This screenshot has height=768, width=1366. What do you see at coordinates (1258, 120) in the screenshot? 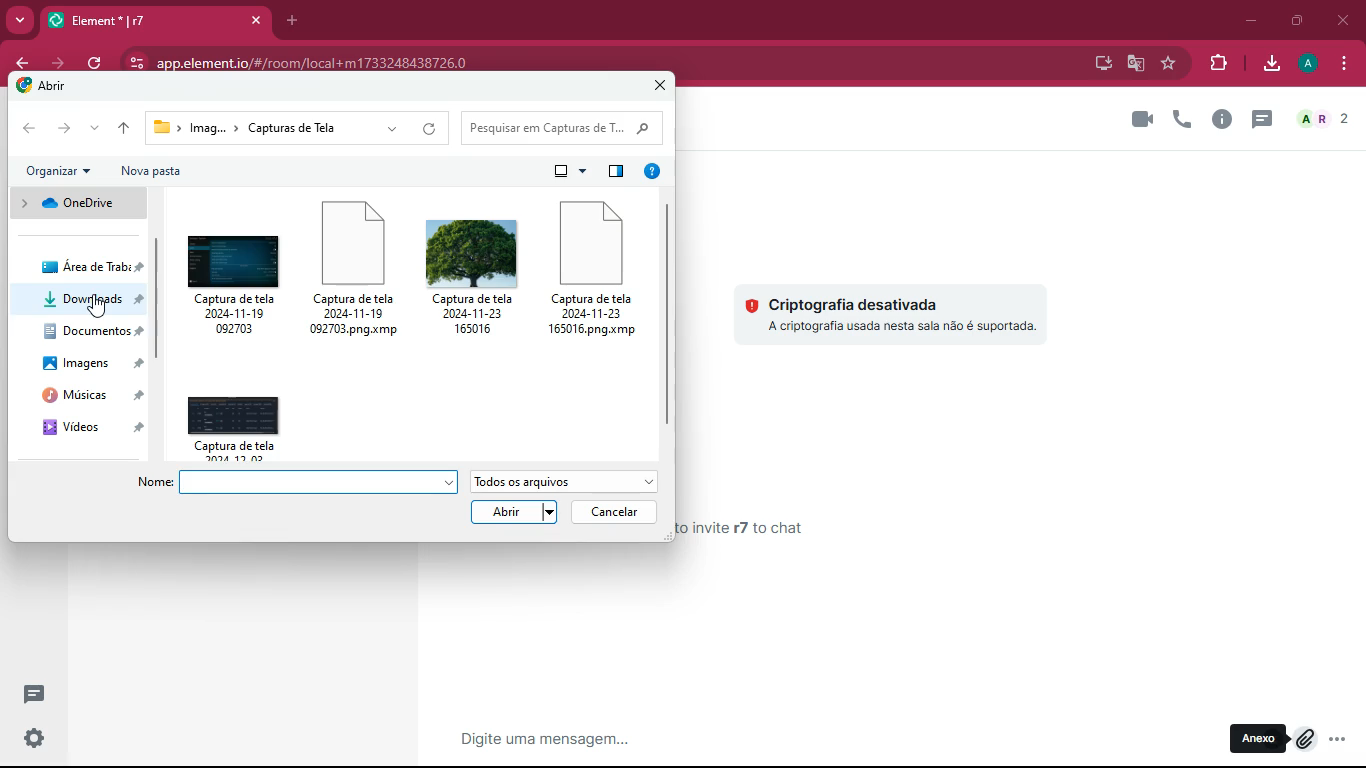
I see `new message` at bounding box center [1258, 120].